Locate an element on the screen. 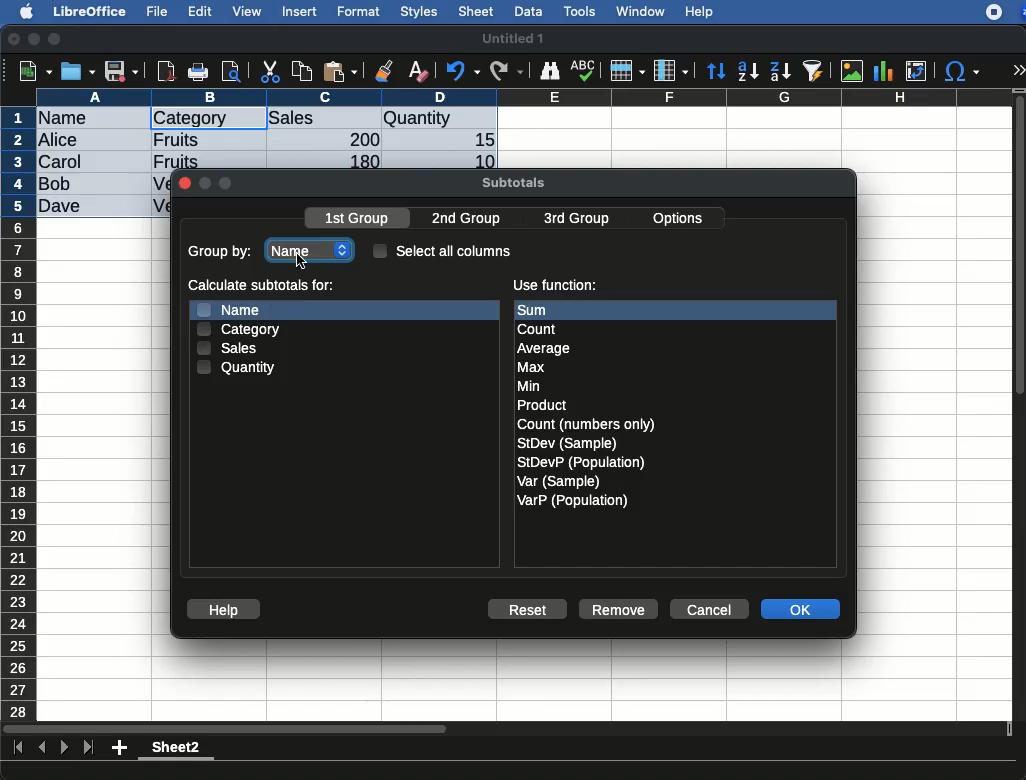 Image resolution: width=1026 pixels, height=780 pixels. next sheet is located at coordinates (62, 749).